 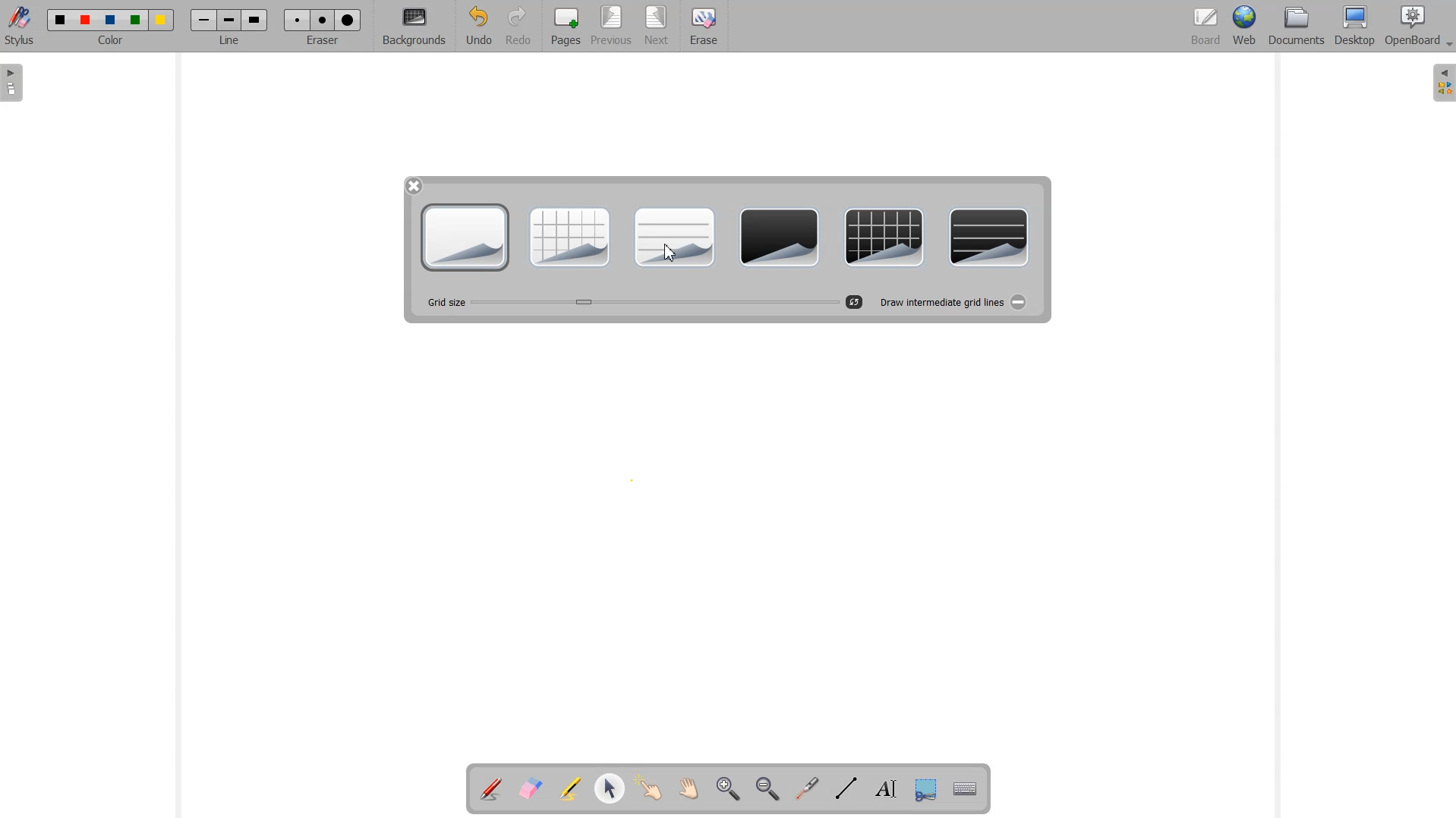 I want to click on Background, so click(x=415, y=27).